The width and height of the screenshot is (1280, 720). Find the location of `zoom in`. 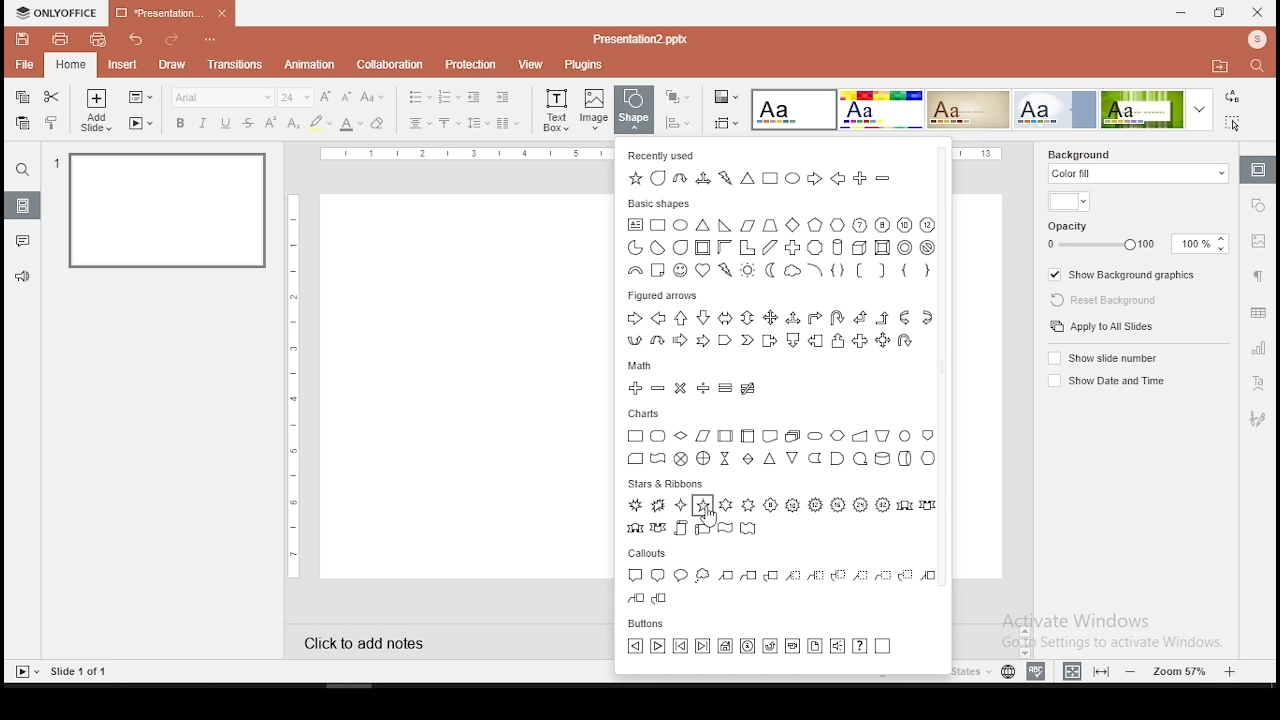

zoom in is located at coordinates (1230, 669).